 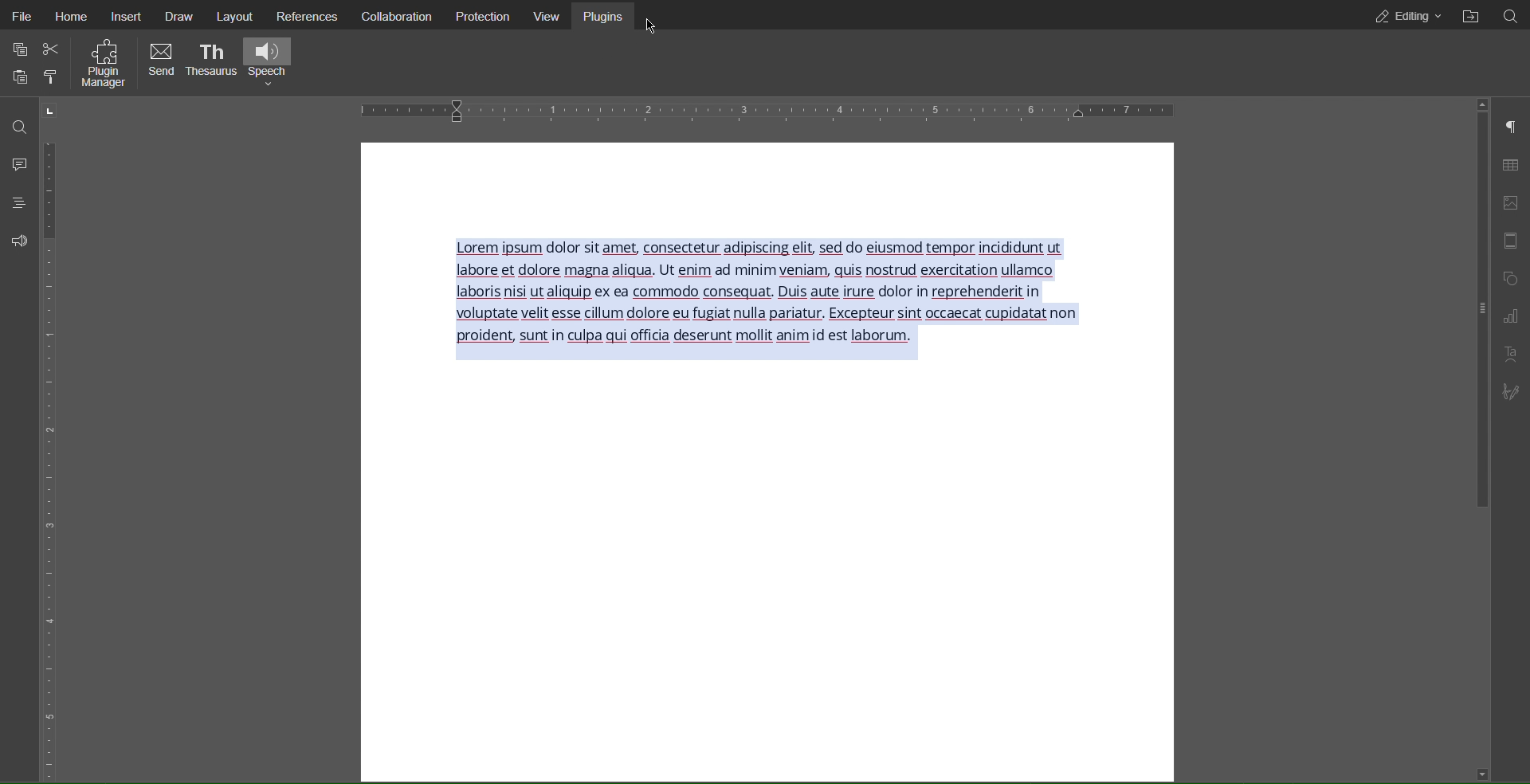 I want to click on Protection, so click(x=485, y=16).